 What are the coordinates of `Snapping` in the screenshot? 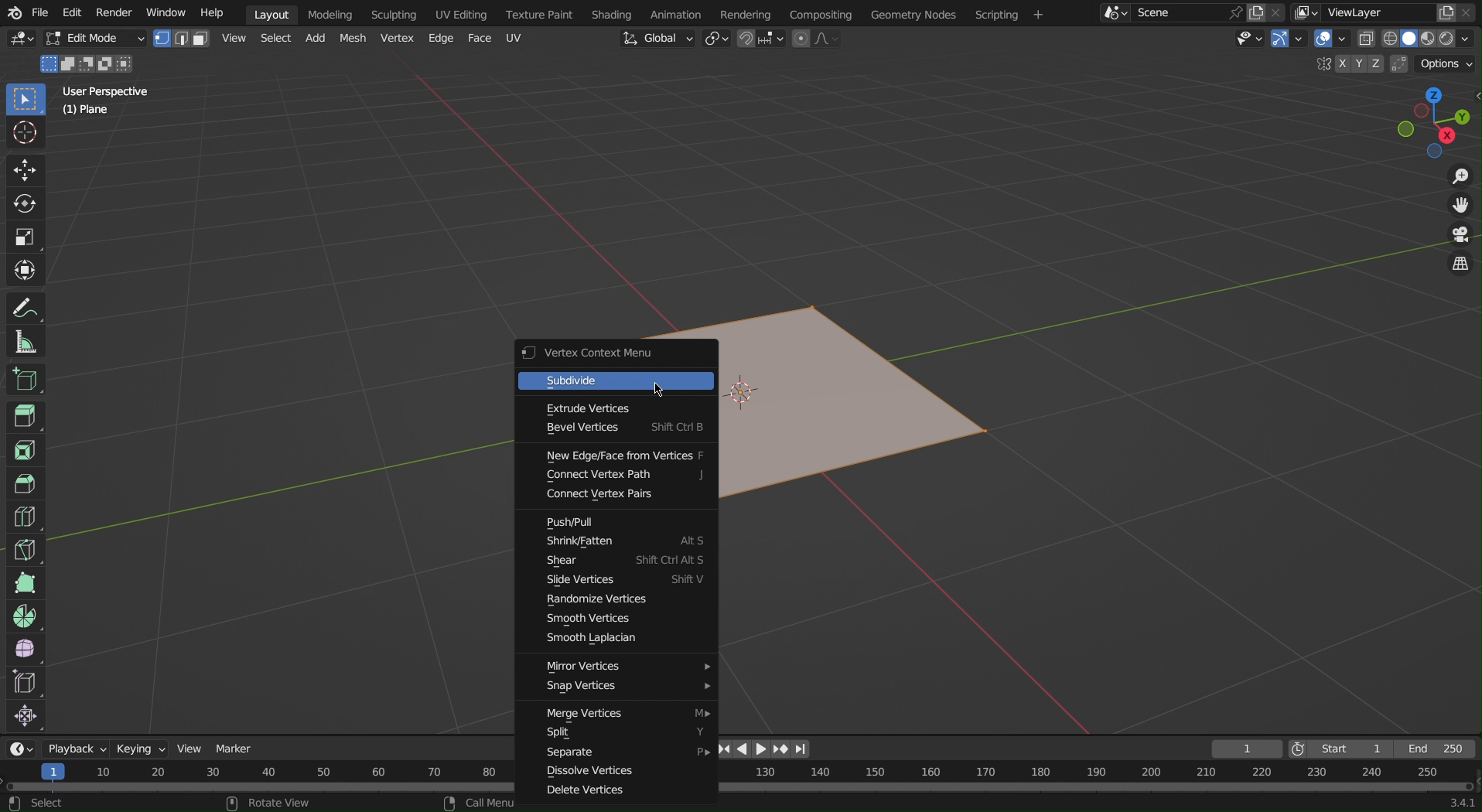 It's located at (760, 38).